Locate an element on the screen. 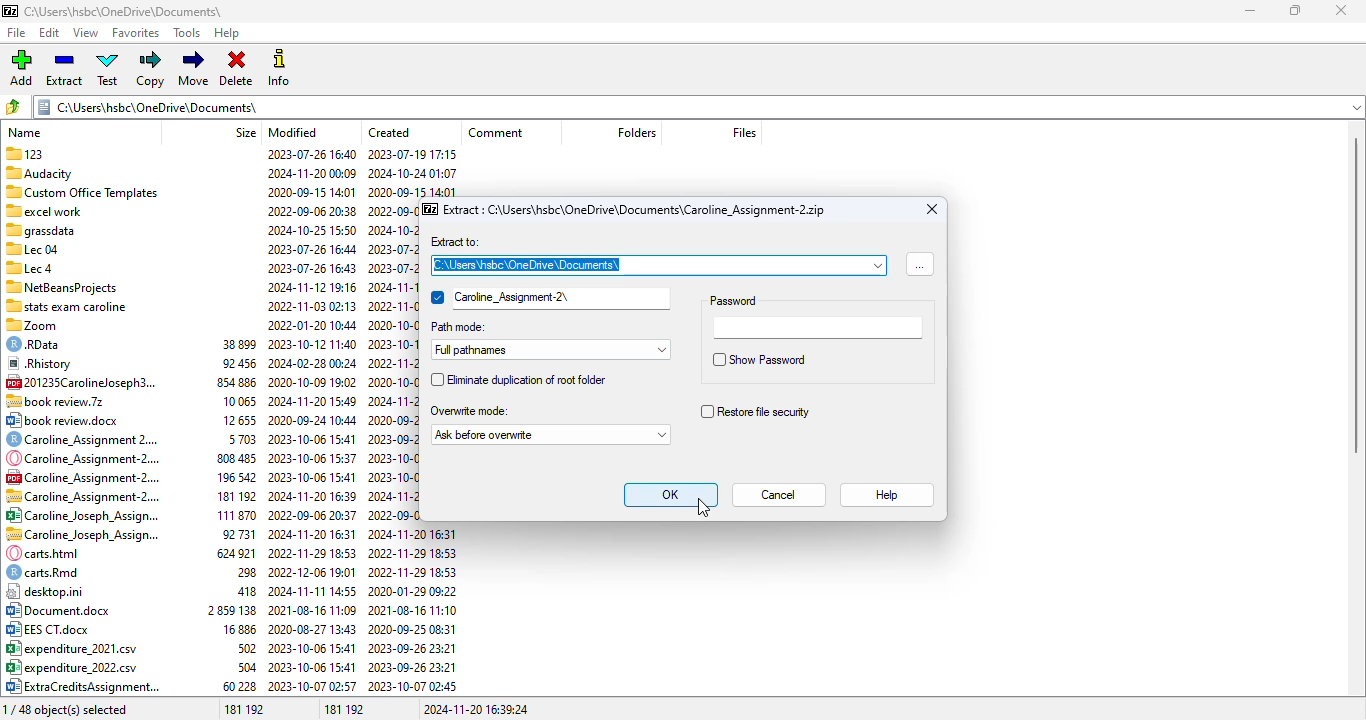 This screenshot has width=1366, height=720. favorites is located at coordinates (136, 34).